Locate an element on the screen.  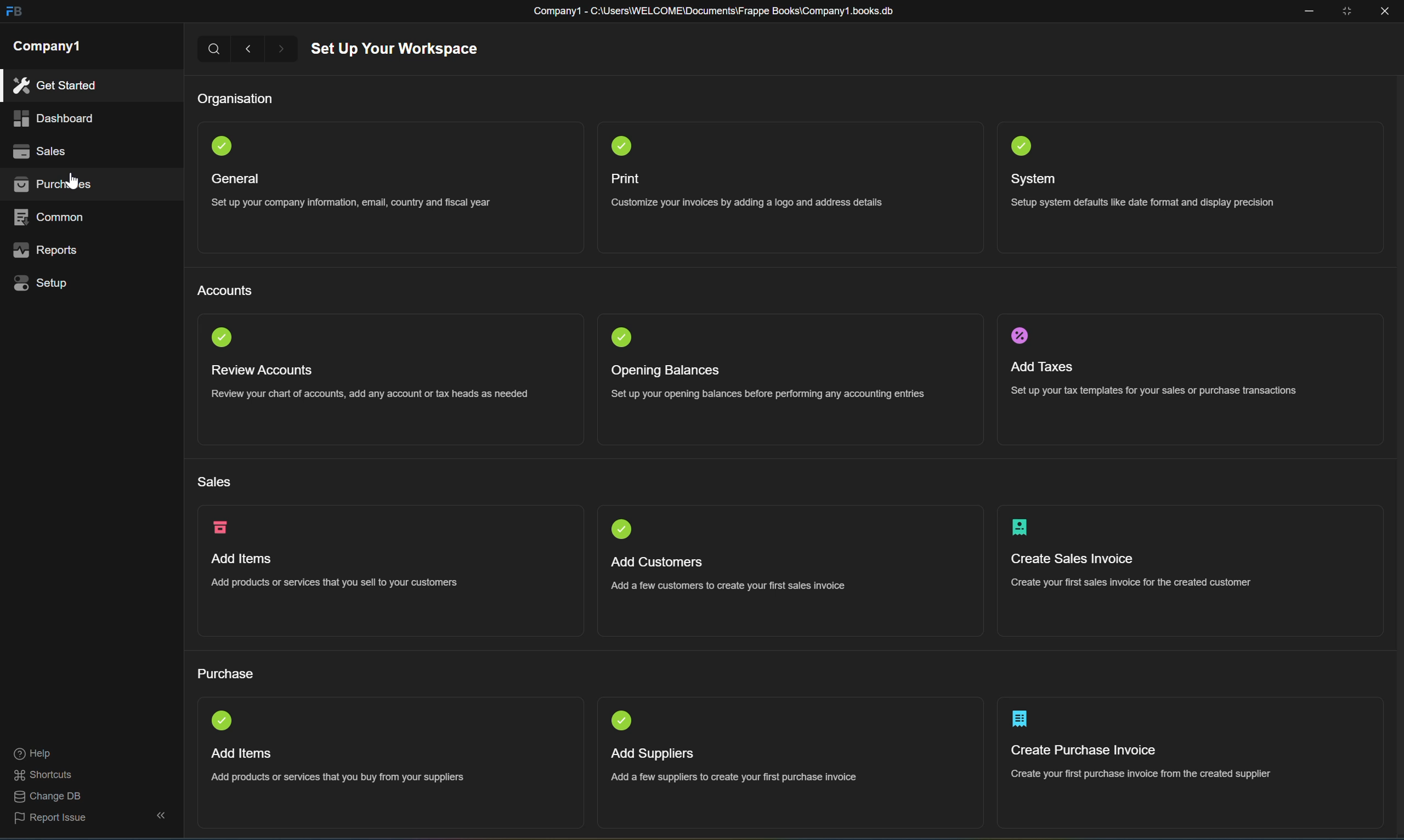
add customers is located at coordinates (658, 561).